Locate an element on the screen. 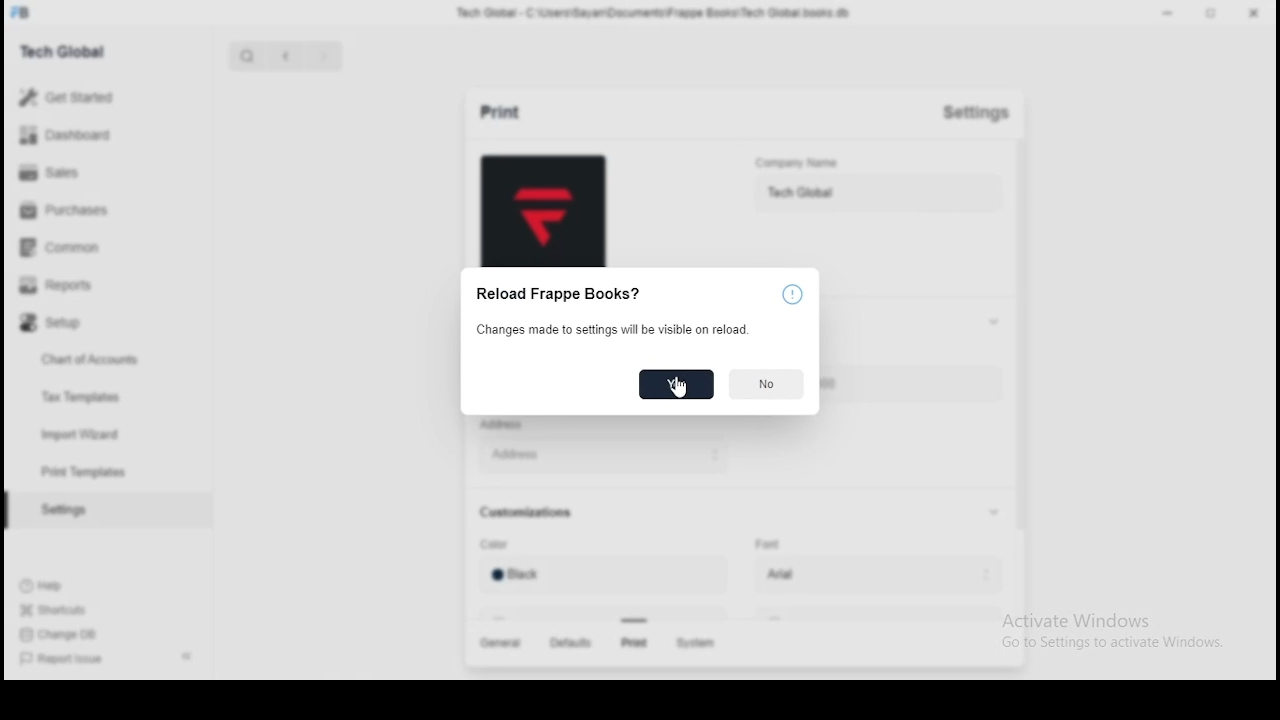 The image size is (1280, 720). Changes made to settings will be visible on reload. is located at coordinates (614, 331).